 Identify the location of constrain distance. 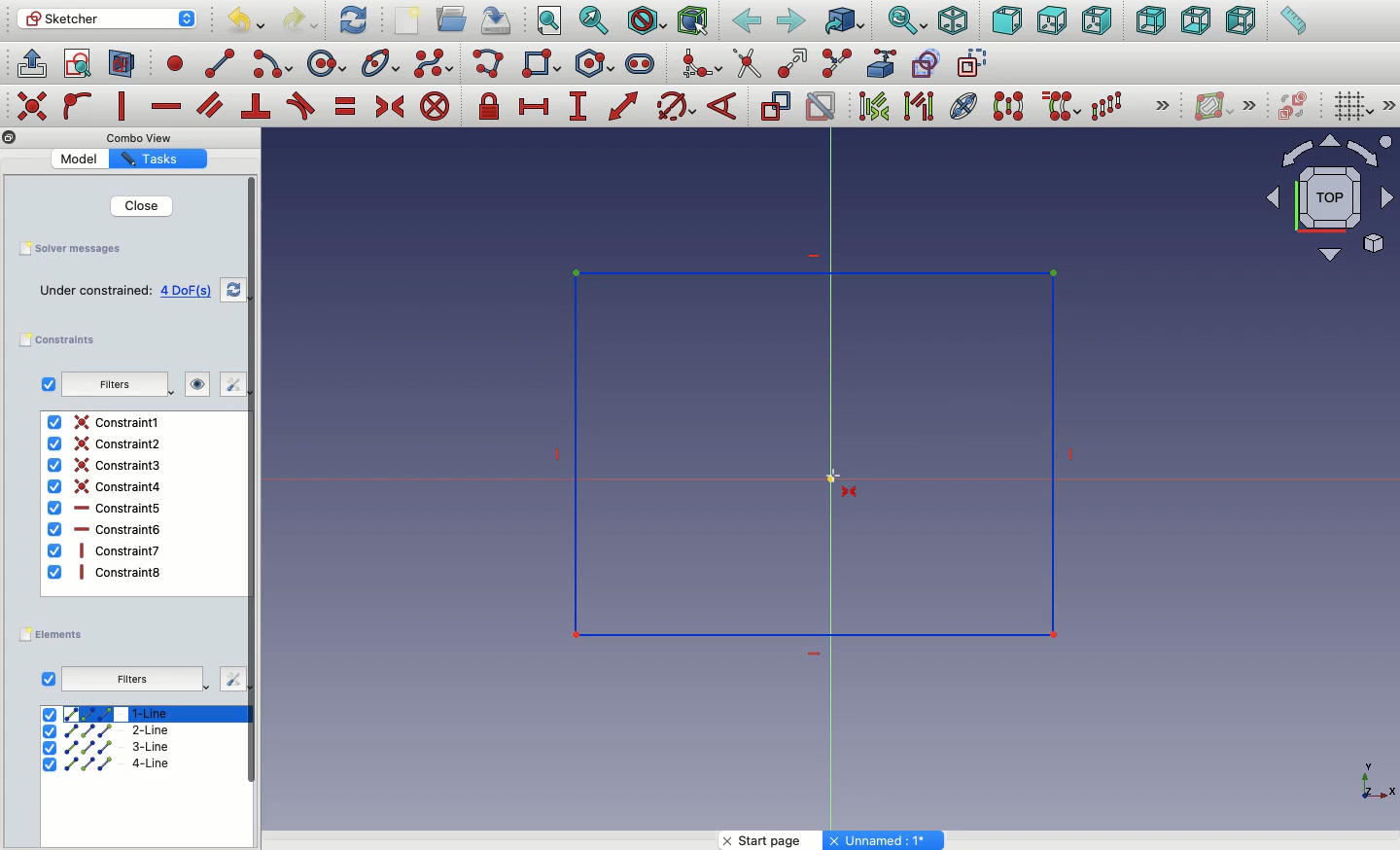
(624, 106).